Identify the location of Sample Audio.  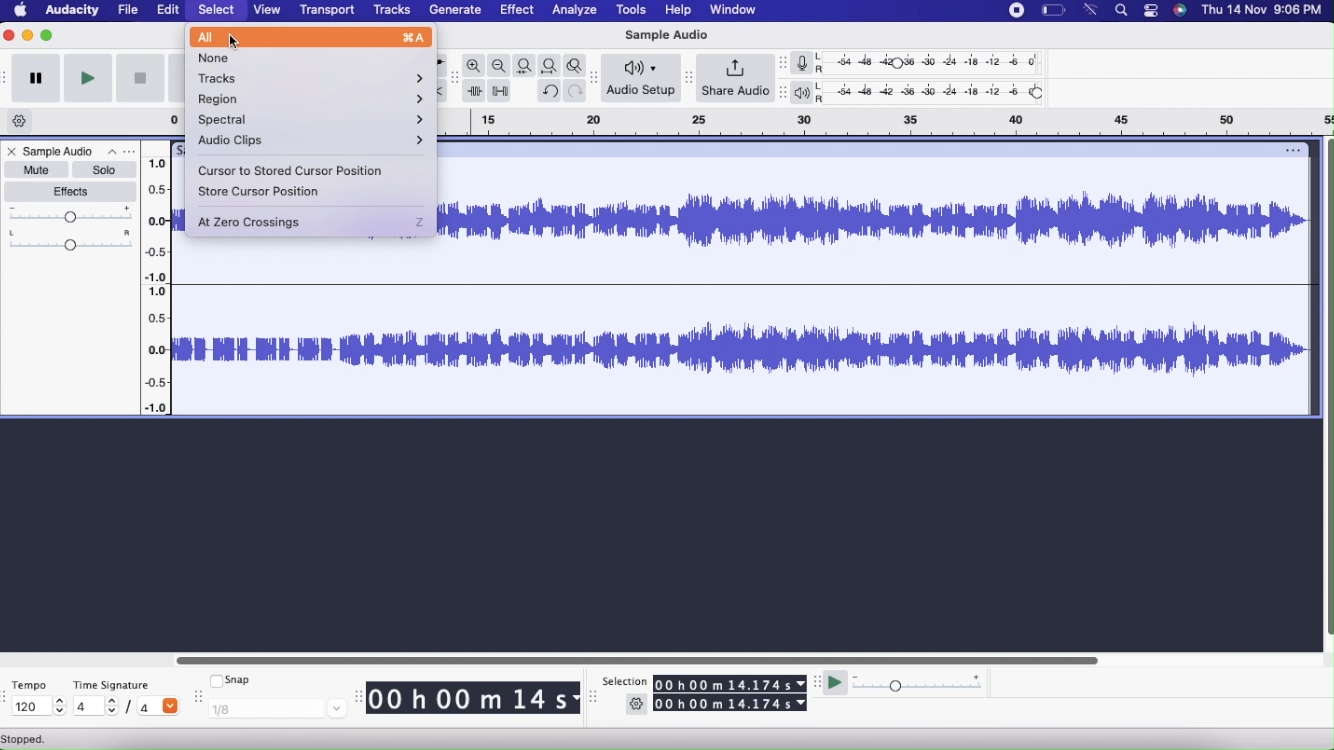
(875, 278).